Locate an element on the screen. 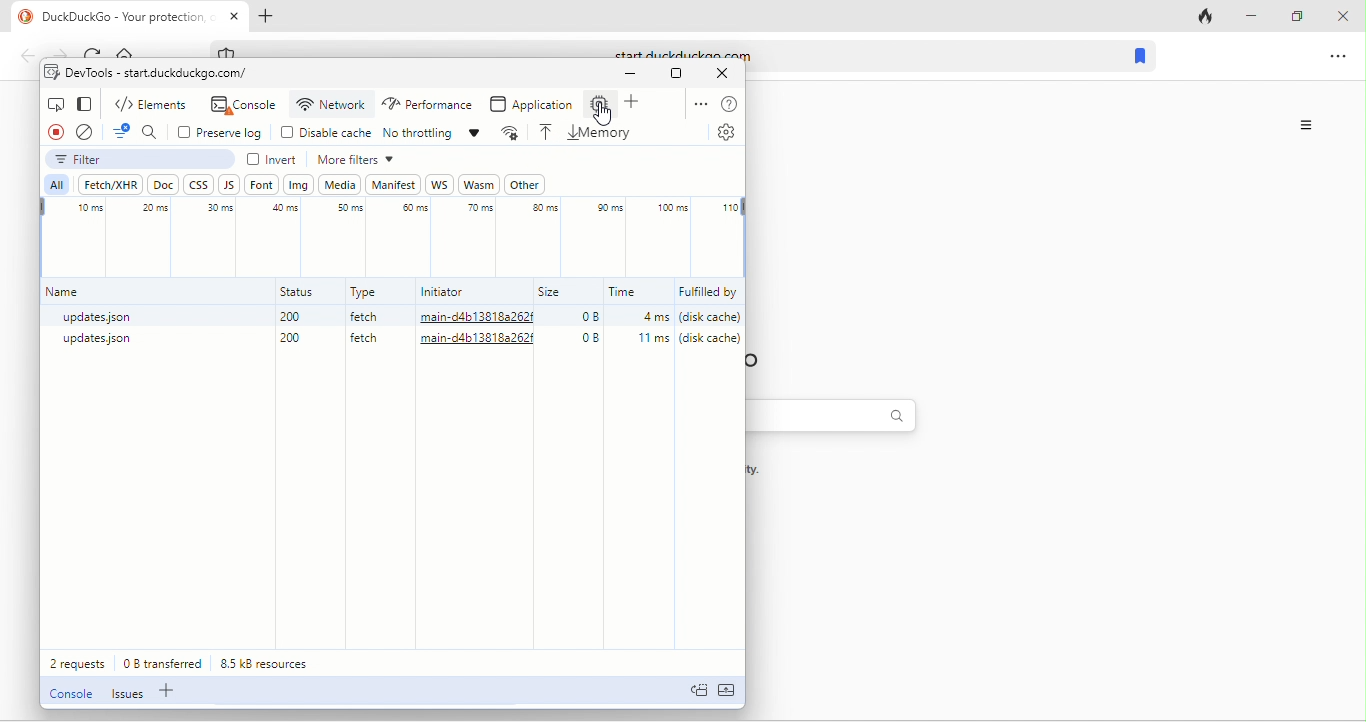 The height and width of the screenshot is (722, 1366). performance is located at coordinates (426, 106).